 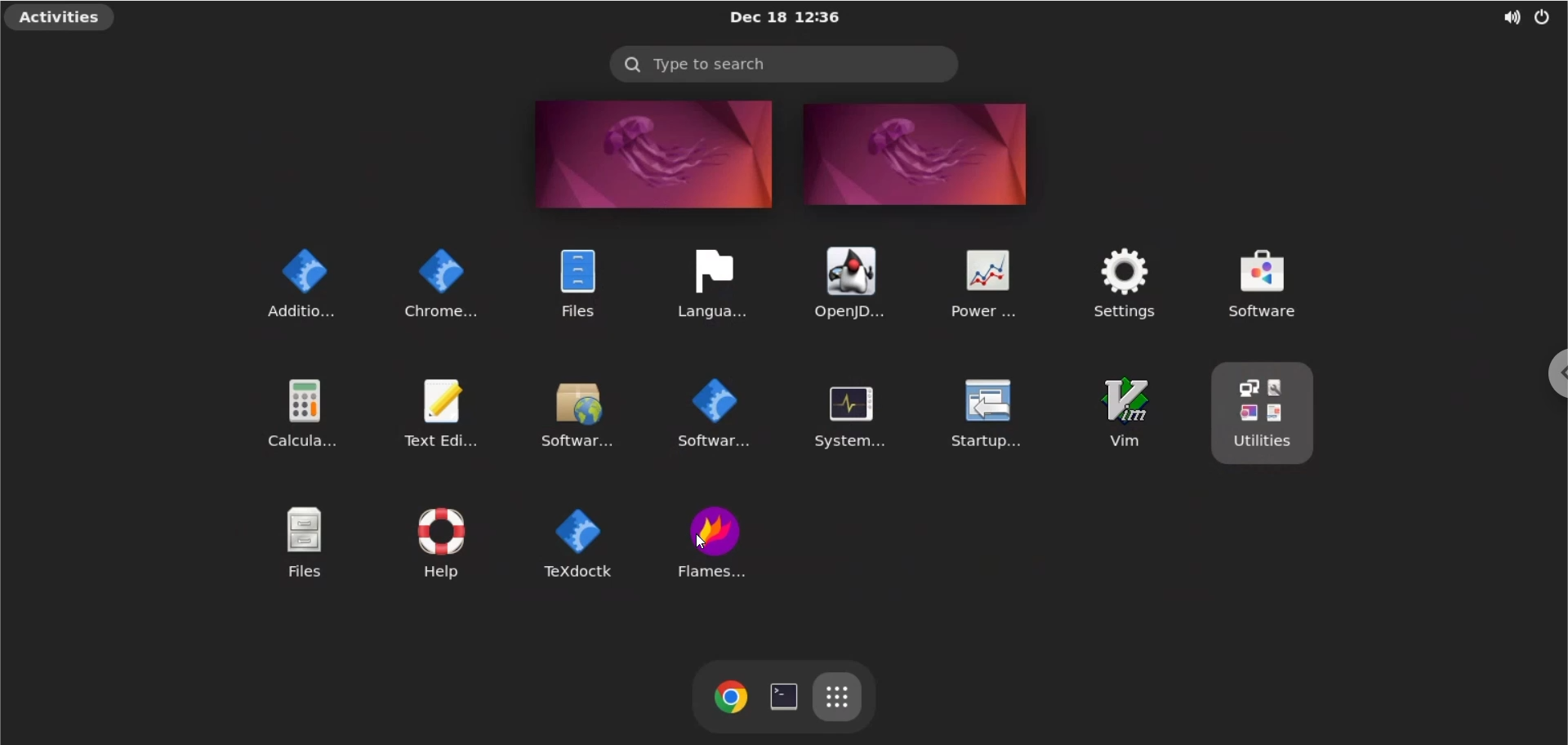 What do you see at coordinates (782, 696) in the screenshot?
I see `terminal` at bounding box center [782, 696].